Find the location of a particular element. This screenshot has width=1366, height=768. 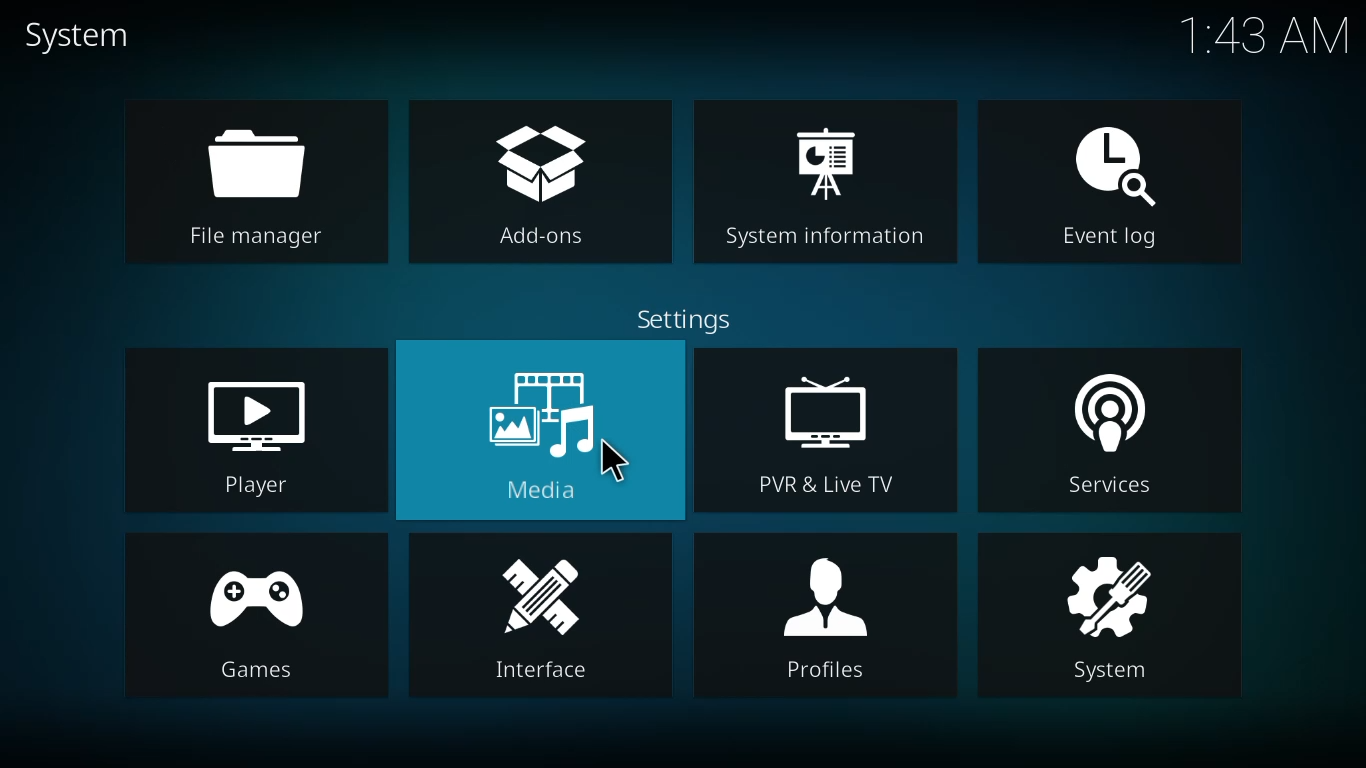

services is located at coordinates (1108, 436).